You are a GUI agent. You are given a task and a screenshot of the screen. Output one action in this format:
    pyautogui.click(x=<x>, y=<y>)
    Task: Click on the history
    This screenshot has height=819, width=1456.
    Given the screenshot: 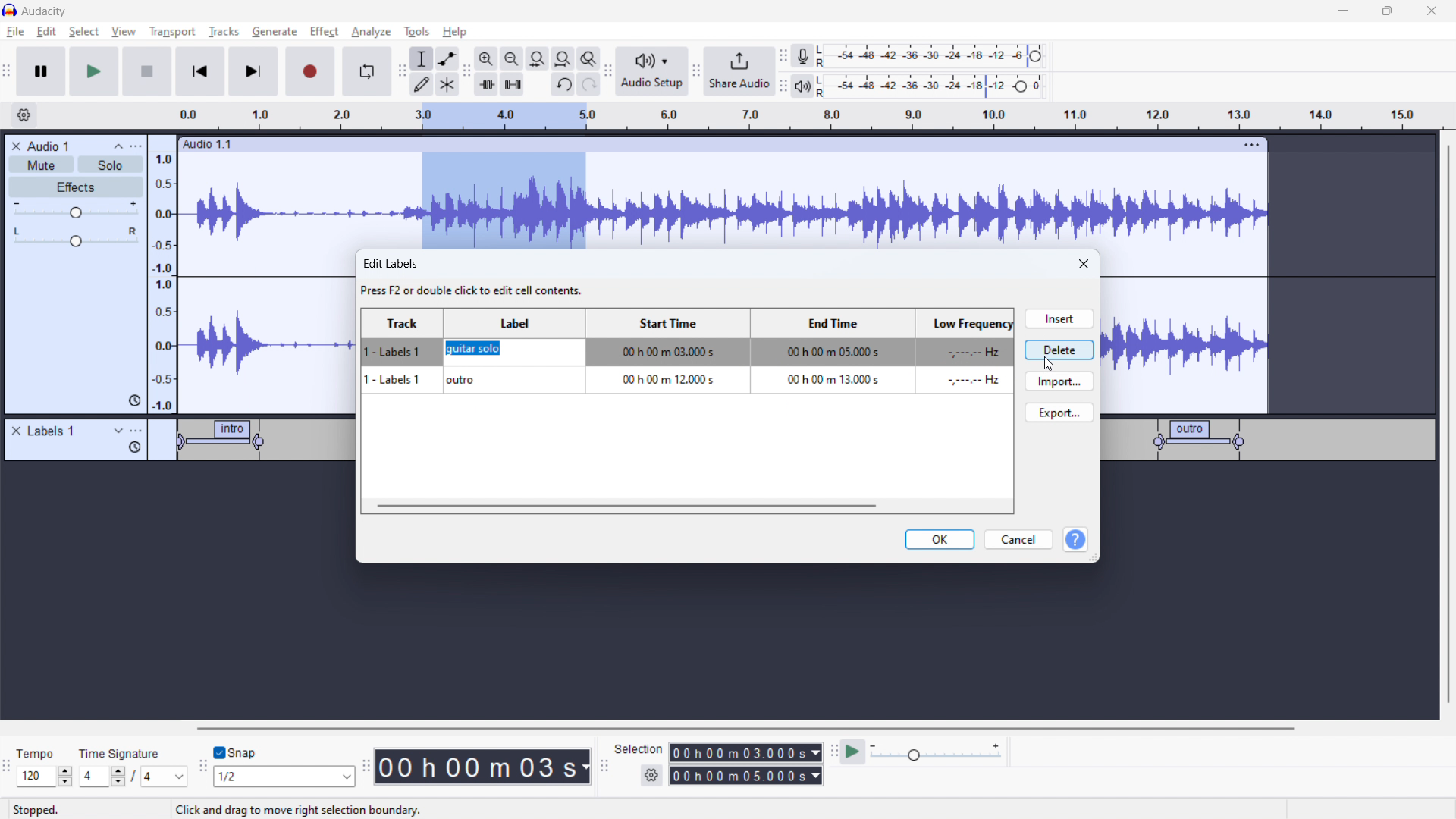 What is the action you would take?
    pyautogui.click(x=134, y=447)
    